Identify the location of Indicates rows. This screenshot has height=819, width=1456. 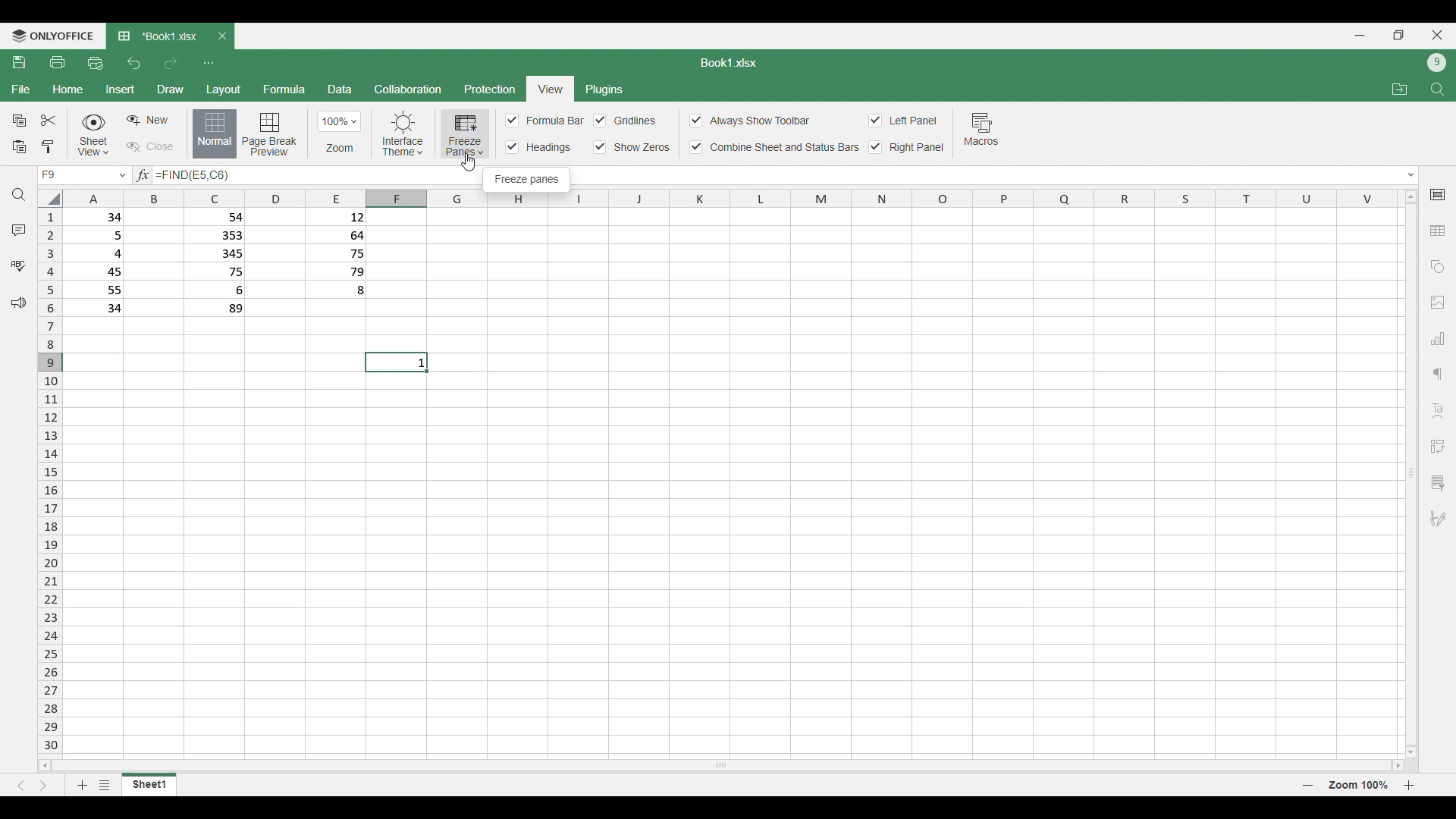
(52, 482).